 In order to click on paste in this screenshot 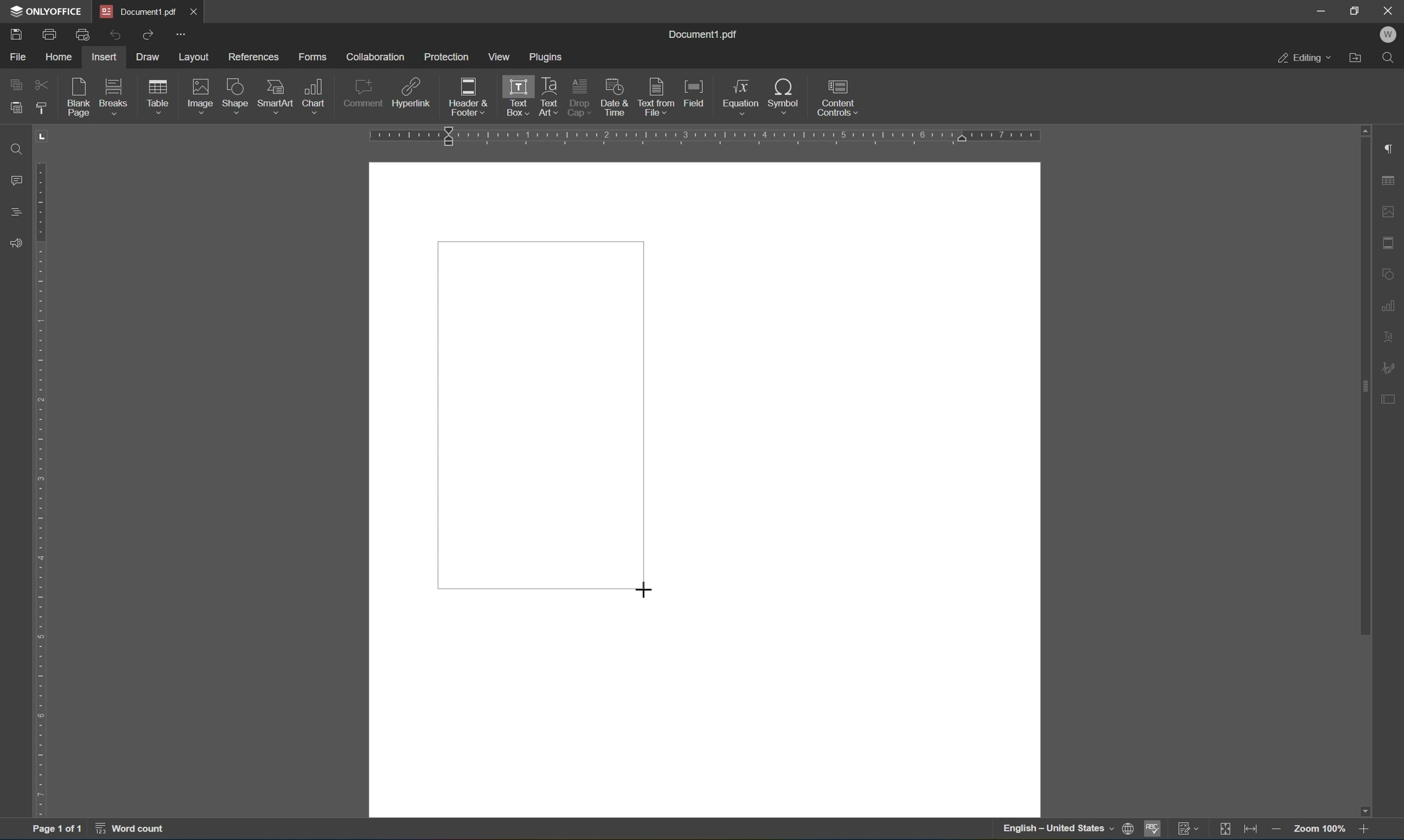, I will do `click(13, 109)`.